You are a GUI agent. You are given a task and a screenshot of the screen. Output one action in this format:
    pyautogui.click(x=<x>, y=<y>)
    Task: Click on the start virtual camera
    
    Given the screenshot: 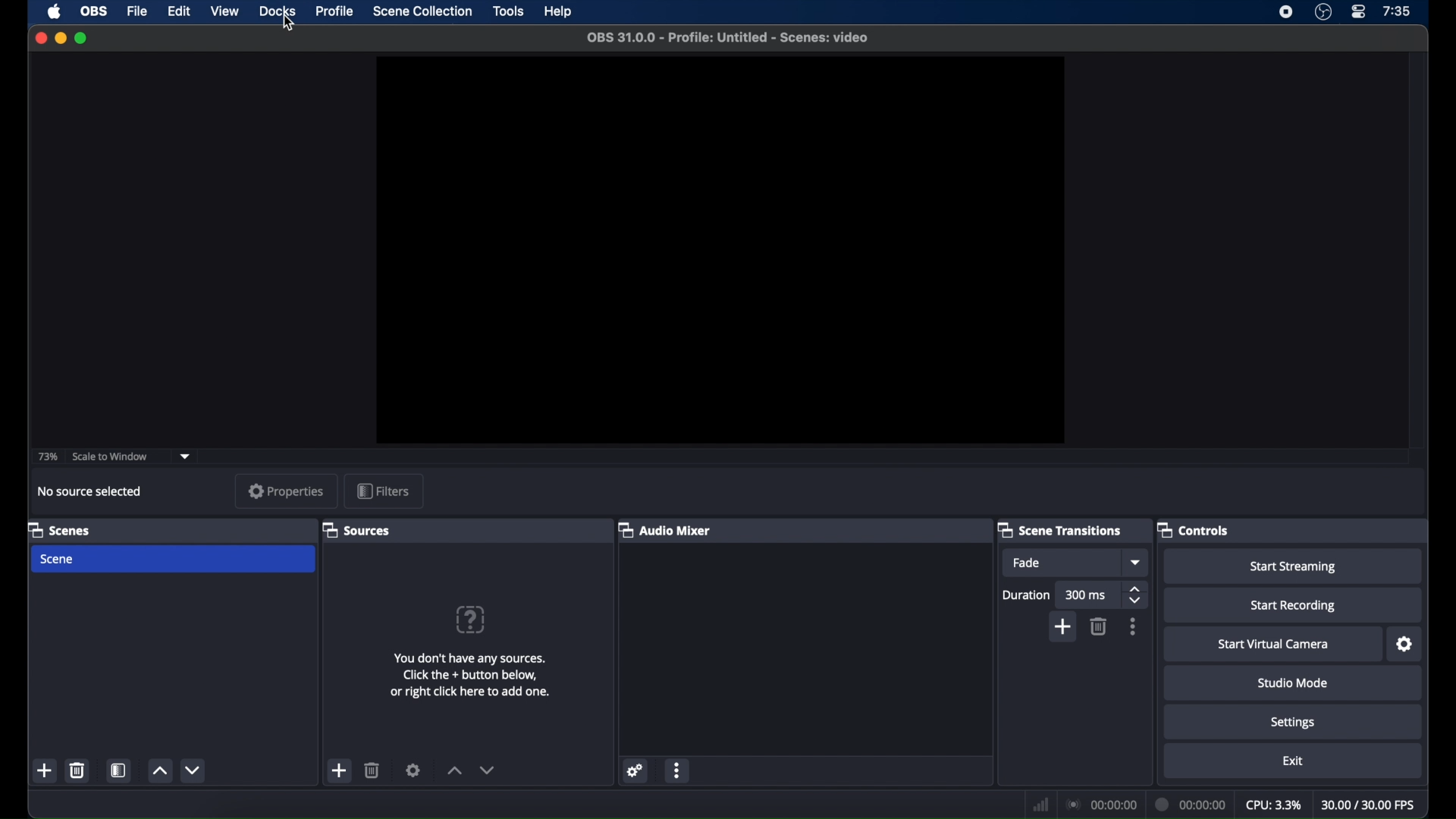 What is the action you would take?
    pyautogui.click(x=1274, y=644)
    